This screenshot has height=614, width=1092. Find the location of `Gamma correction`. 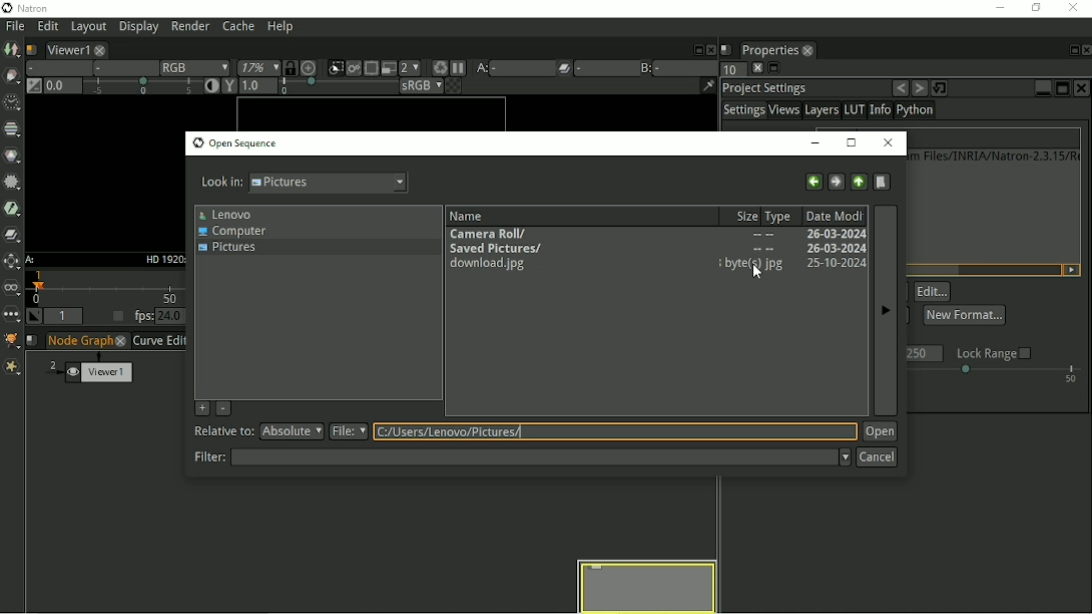

Gamma correction is located at coordinates (303, 87).